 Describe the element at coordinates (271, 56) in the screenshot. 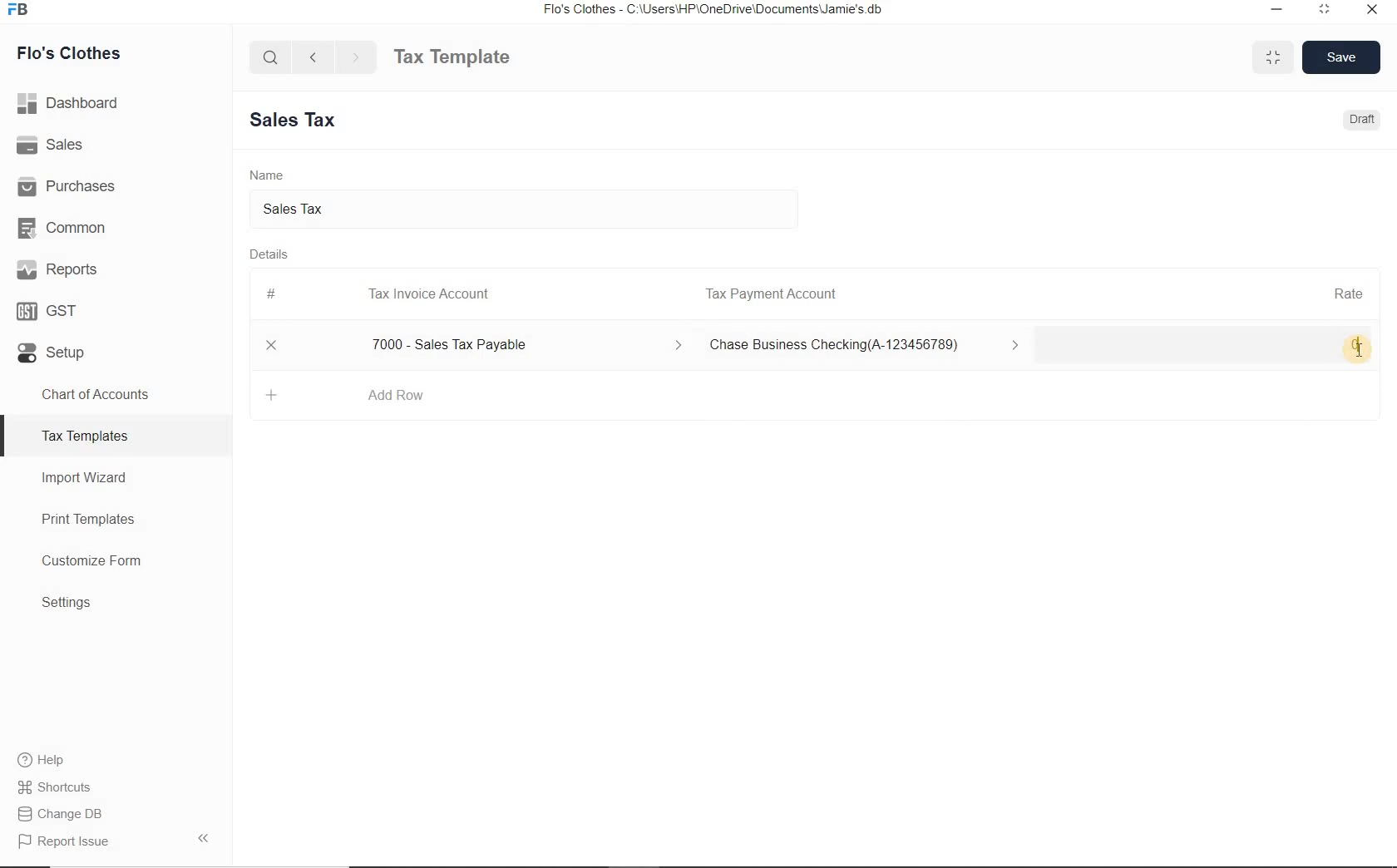

I see `Search Bar` at that location.